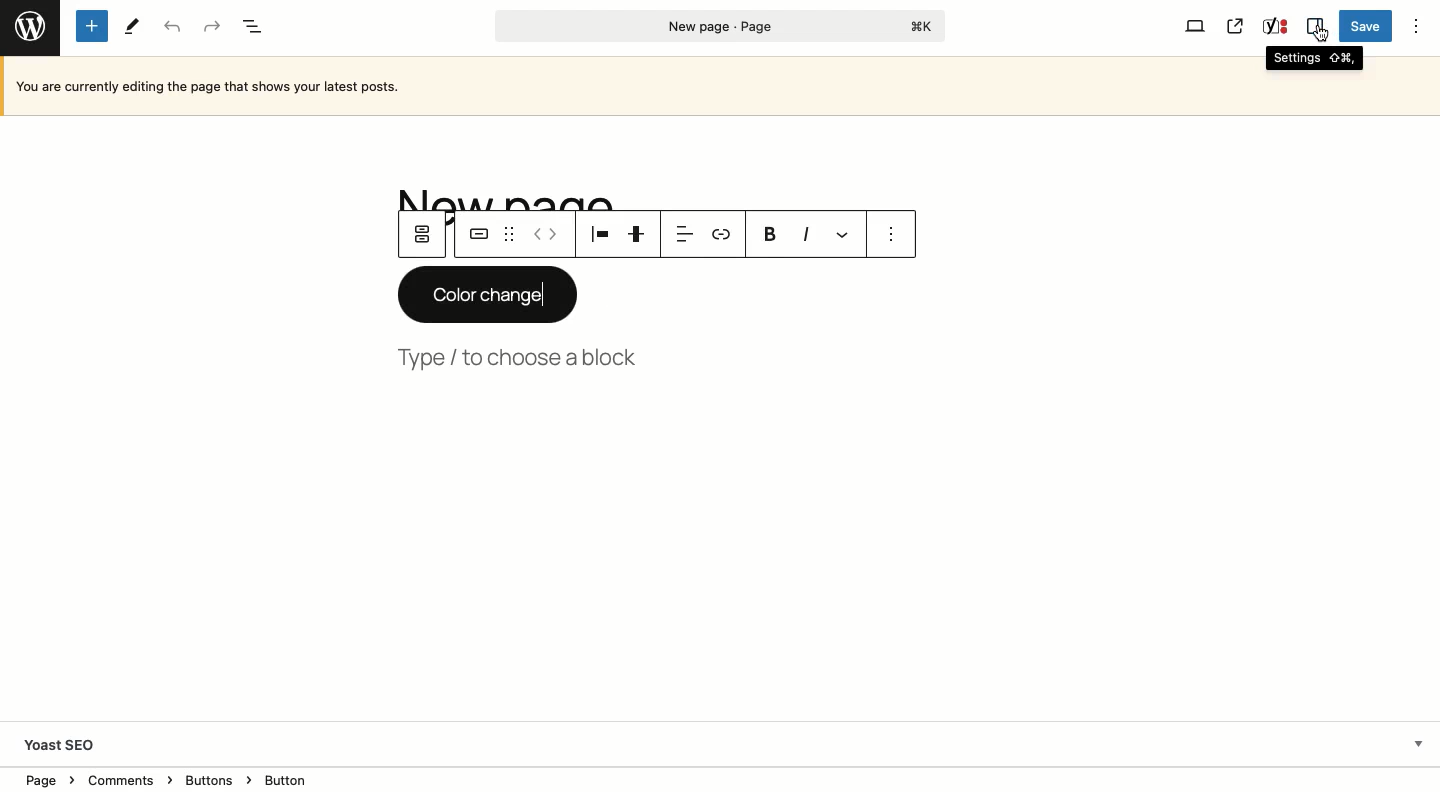 The width and height of the screenshot is (1440, 792). Describe the element at coordinates (509, 234) in the screenshot. I see `Drag` at that location.